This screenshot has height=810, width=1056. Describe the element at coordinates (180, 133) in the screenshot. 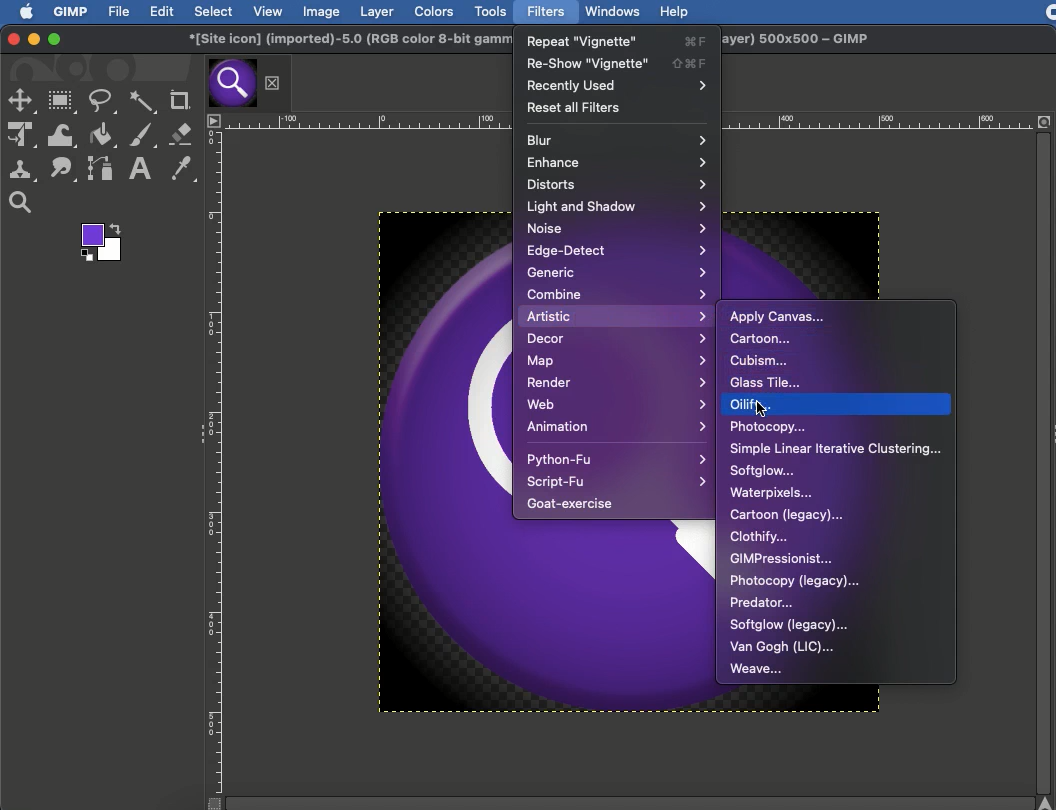

I see `Eraser` at that location.